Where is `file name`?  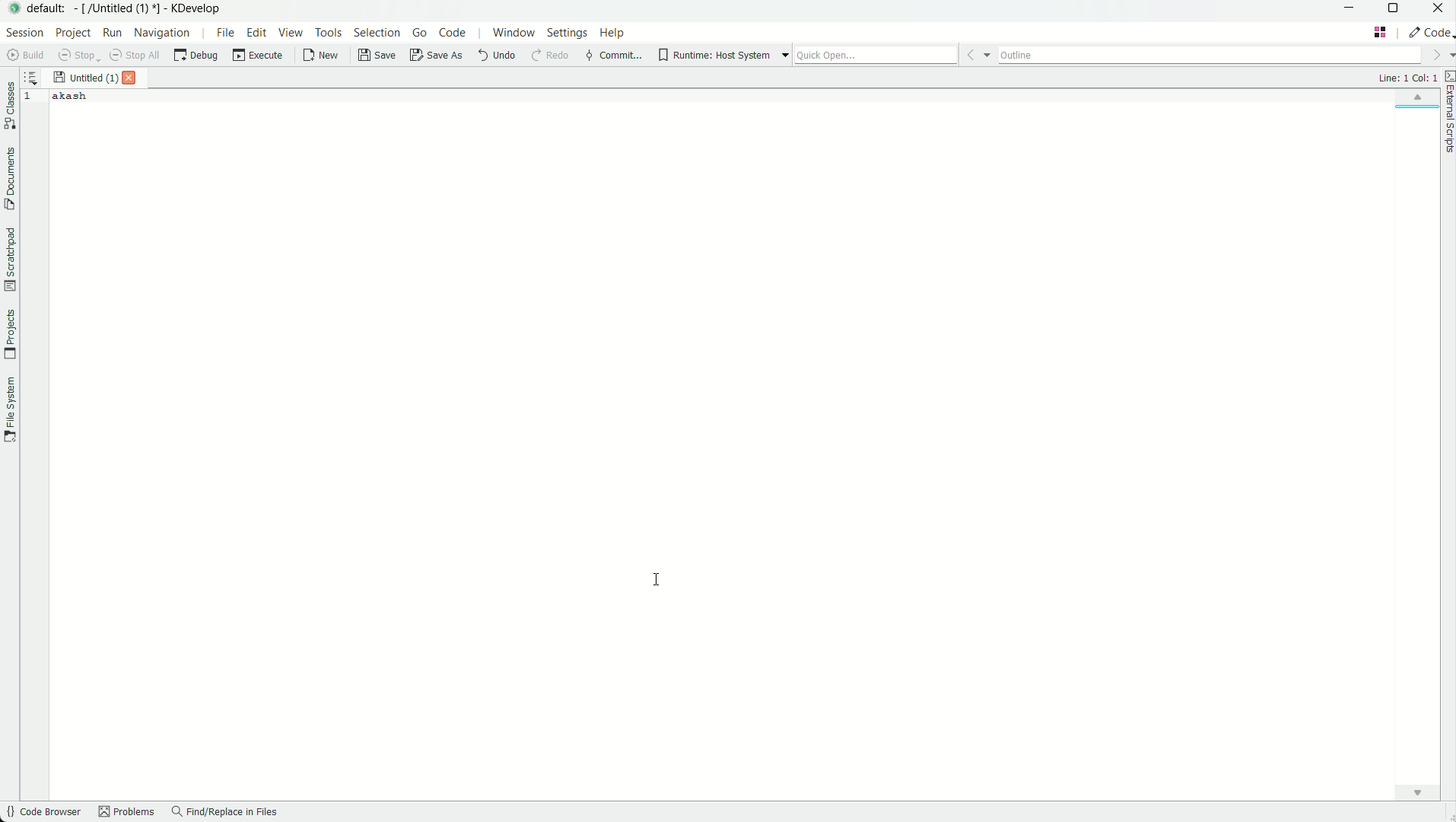 file name is located at coordinates (85, 78).